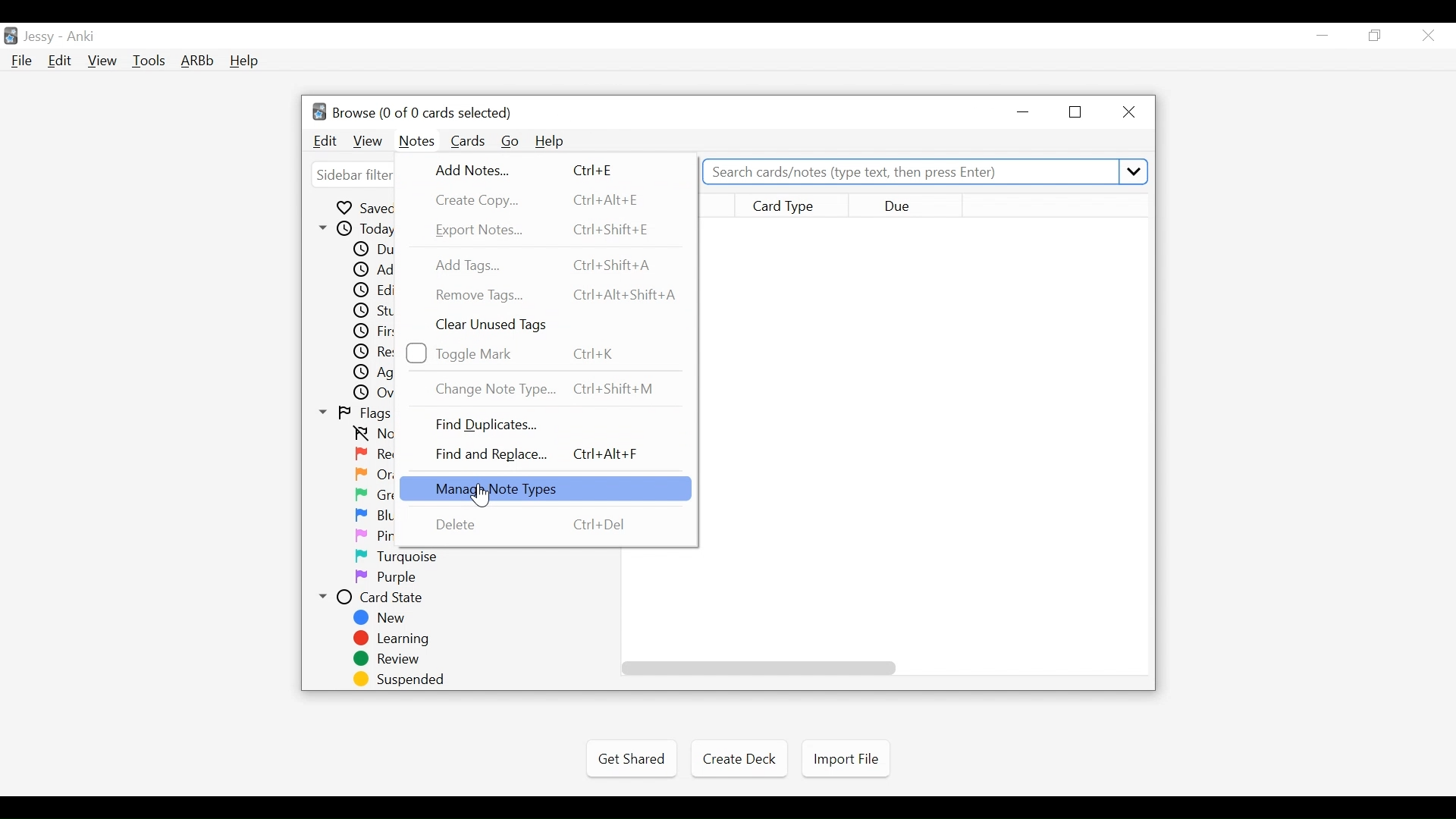 The height and width of the screenshot is (819, 1456). What do you see at coordinates (198, 61) in the screenshot?
I see `Advanced Review Button bar` at bounding box center [198, 61].